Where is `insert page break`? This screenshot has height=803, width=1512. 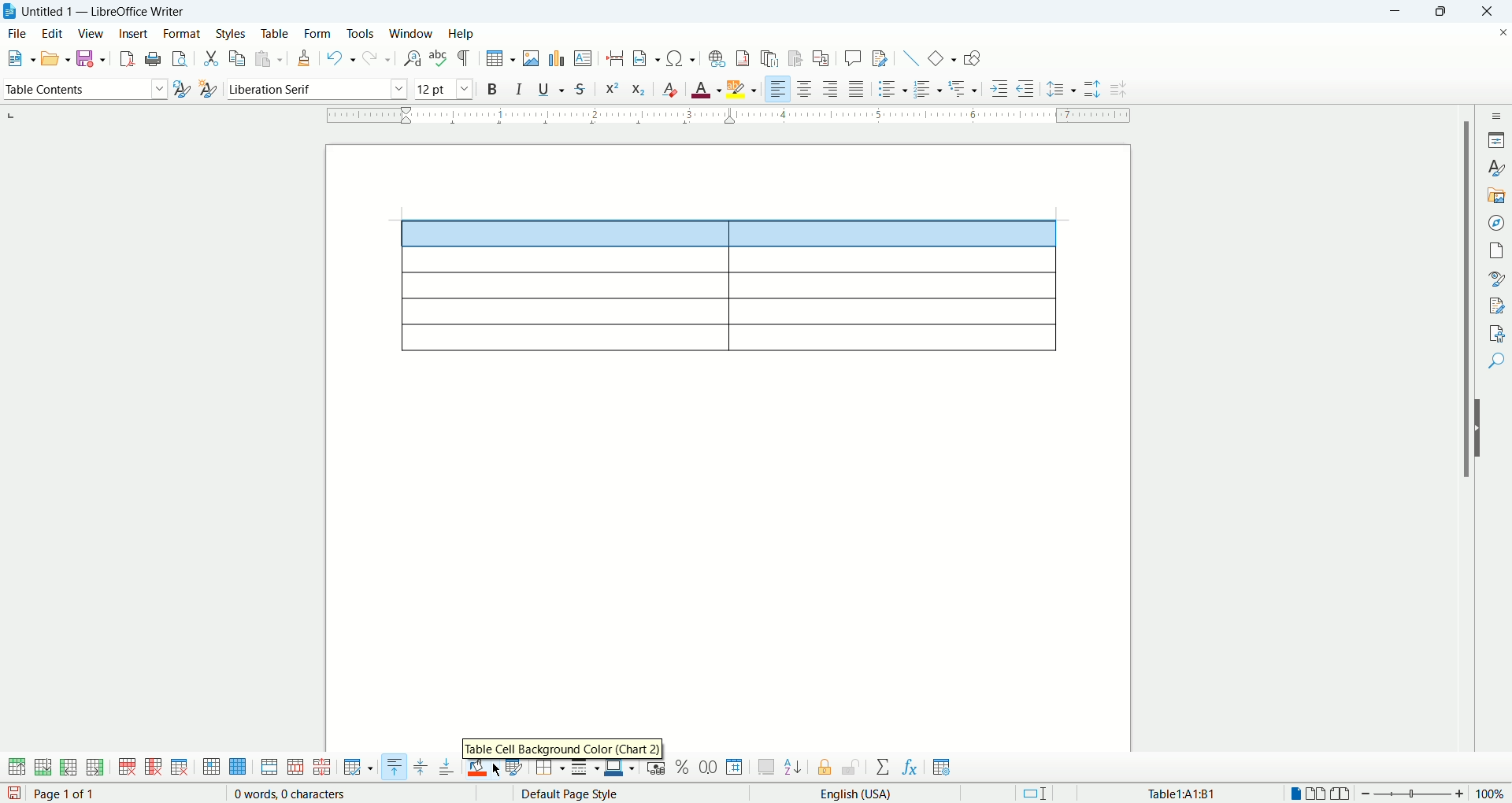 insert page break is located at coordinates (619, 57).